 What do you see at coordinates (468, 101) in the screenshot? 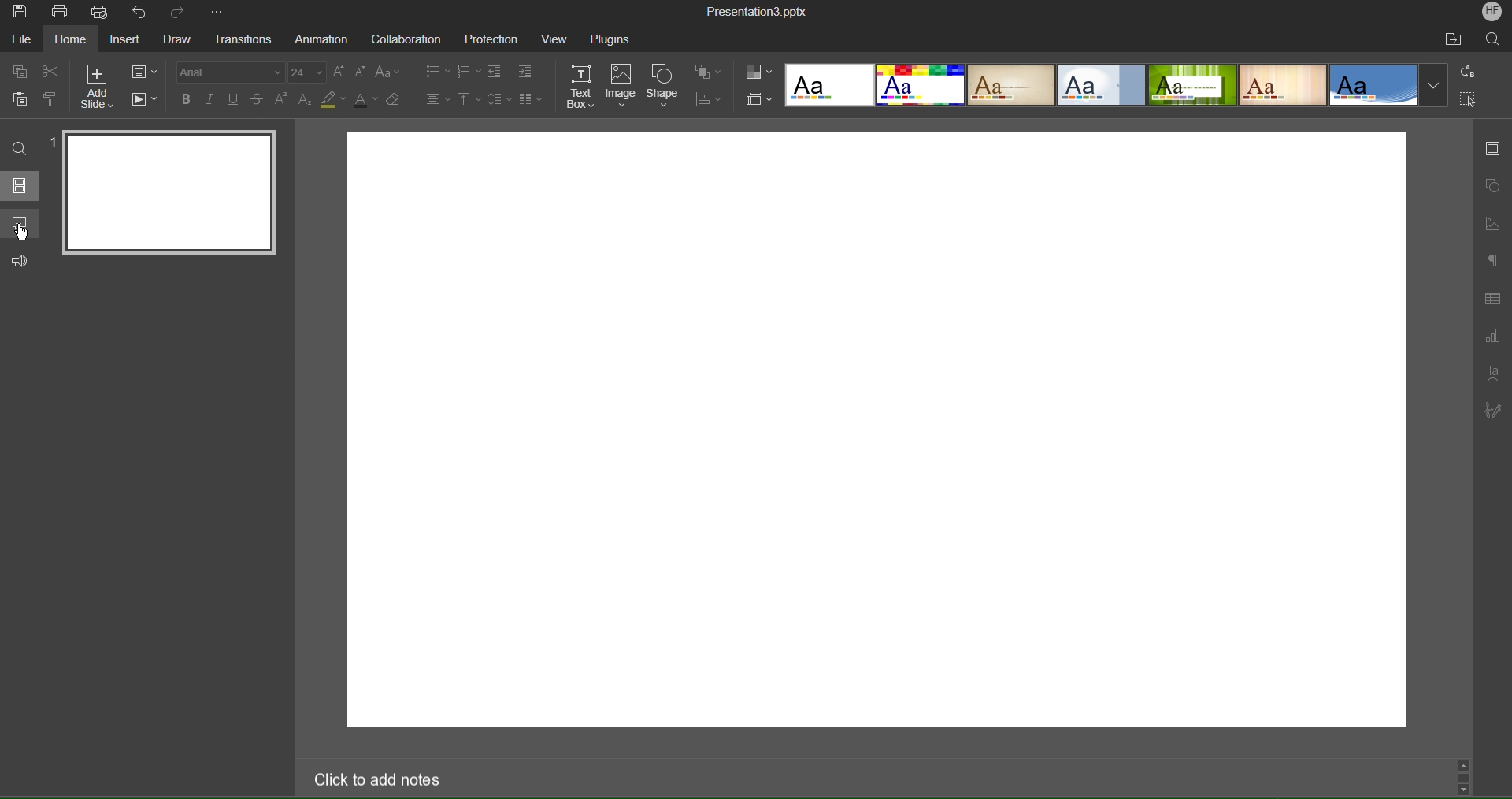
I see `Vertical Alignment` at bounding box center [468, 101].